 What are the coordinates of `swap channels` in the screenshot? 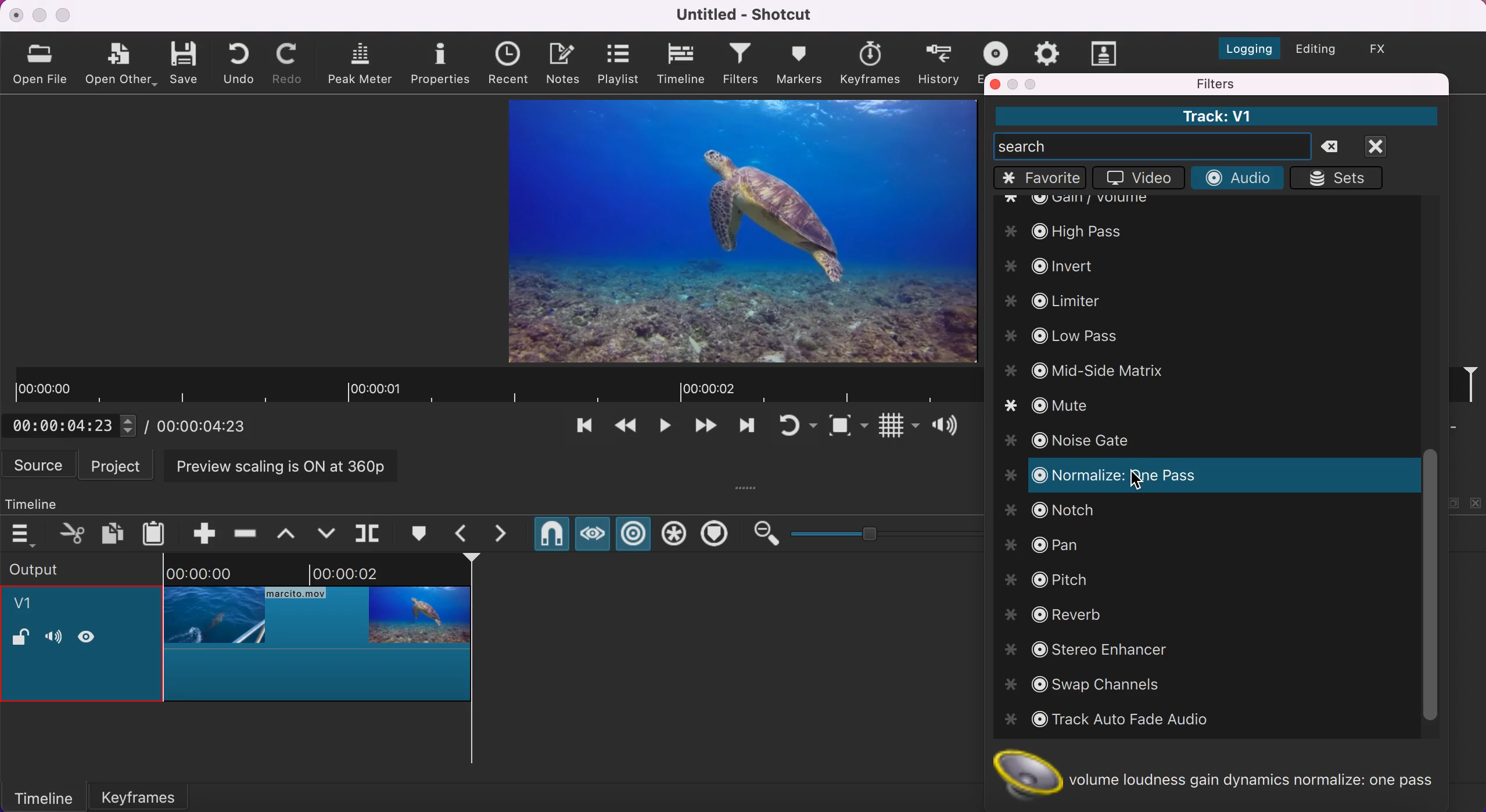 It's located at (1097, 685).